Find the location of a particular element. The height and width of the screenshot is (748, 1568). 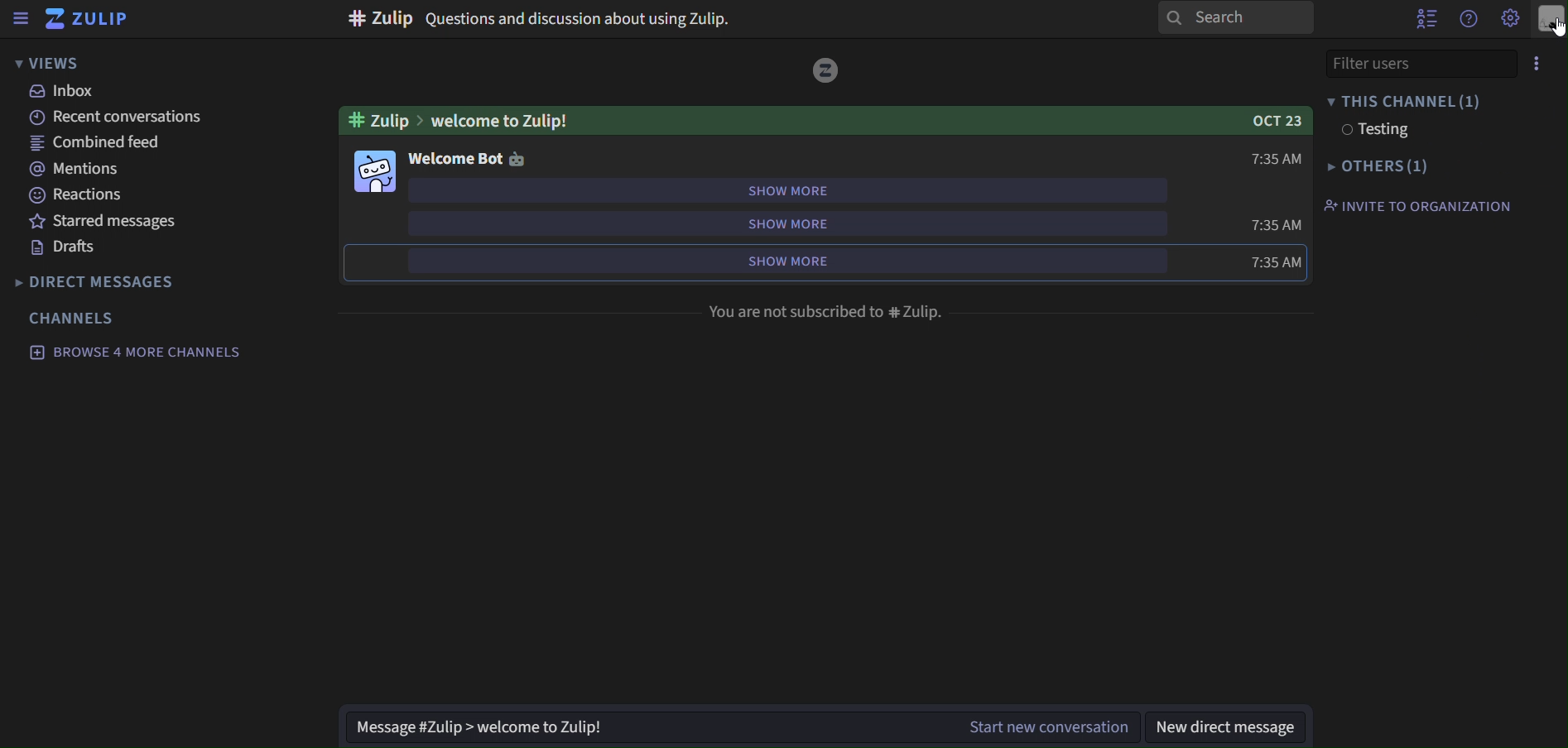

Message #Zulip>welcome to Zulip is located at coordinates (643, 731).